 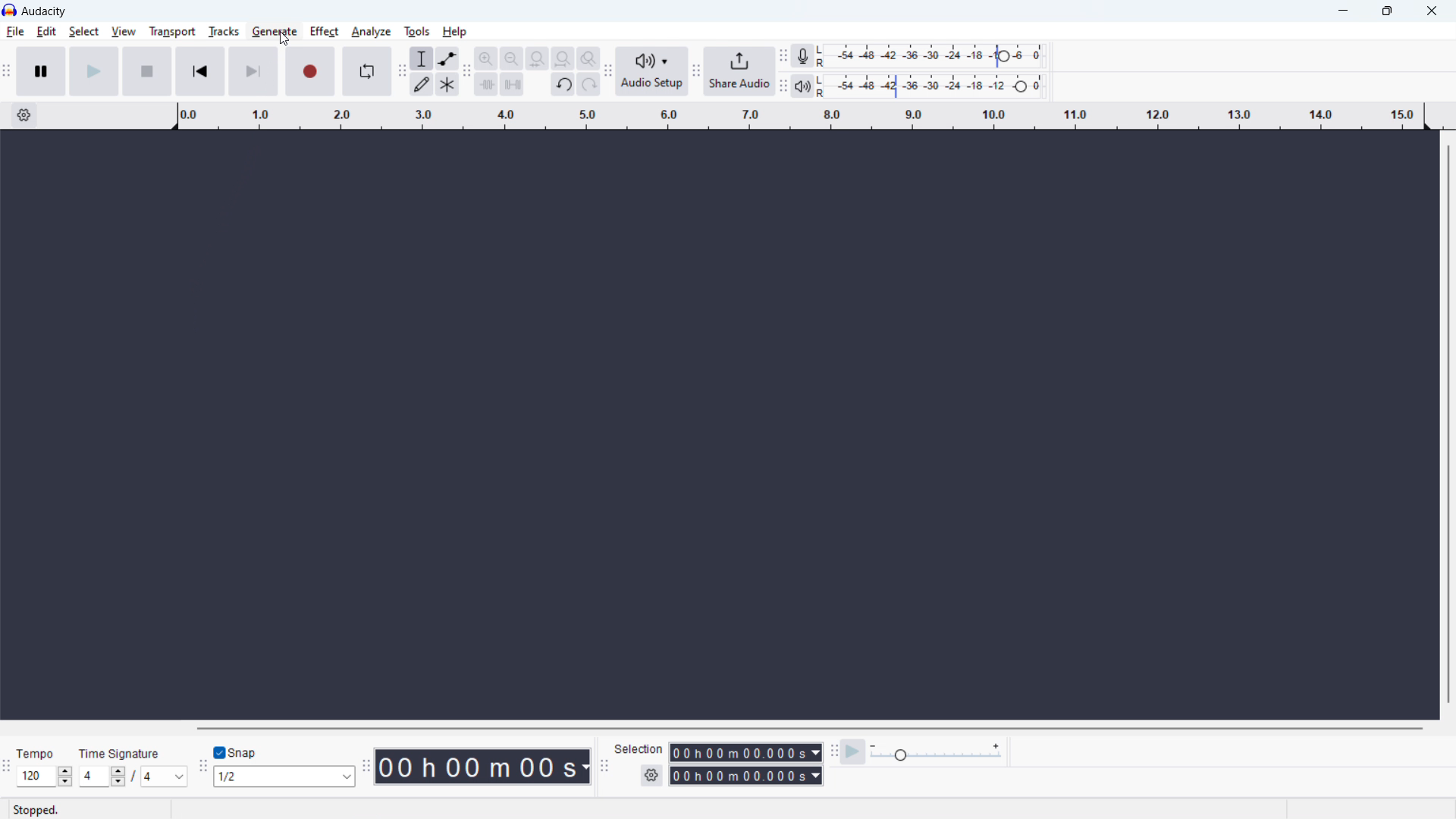 I want to click on set tempo, so click(x=45, y=777).